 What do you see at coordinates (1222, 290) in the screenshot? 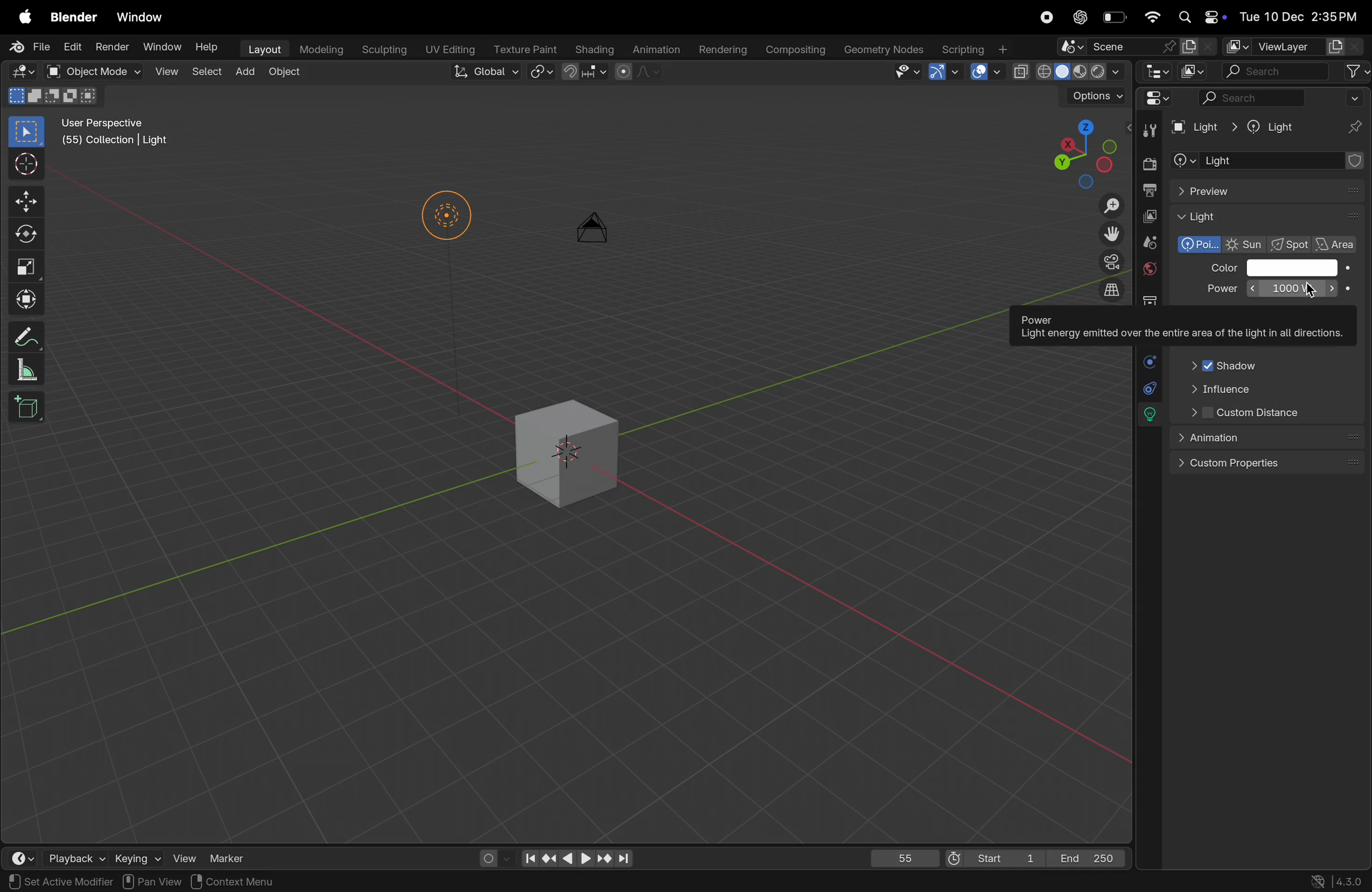
I see `Power` at bounding box center [1222, 290].